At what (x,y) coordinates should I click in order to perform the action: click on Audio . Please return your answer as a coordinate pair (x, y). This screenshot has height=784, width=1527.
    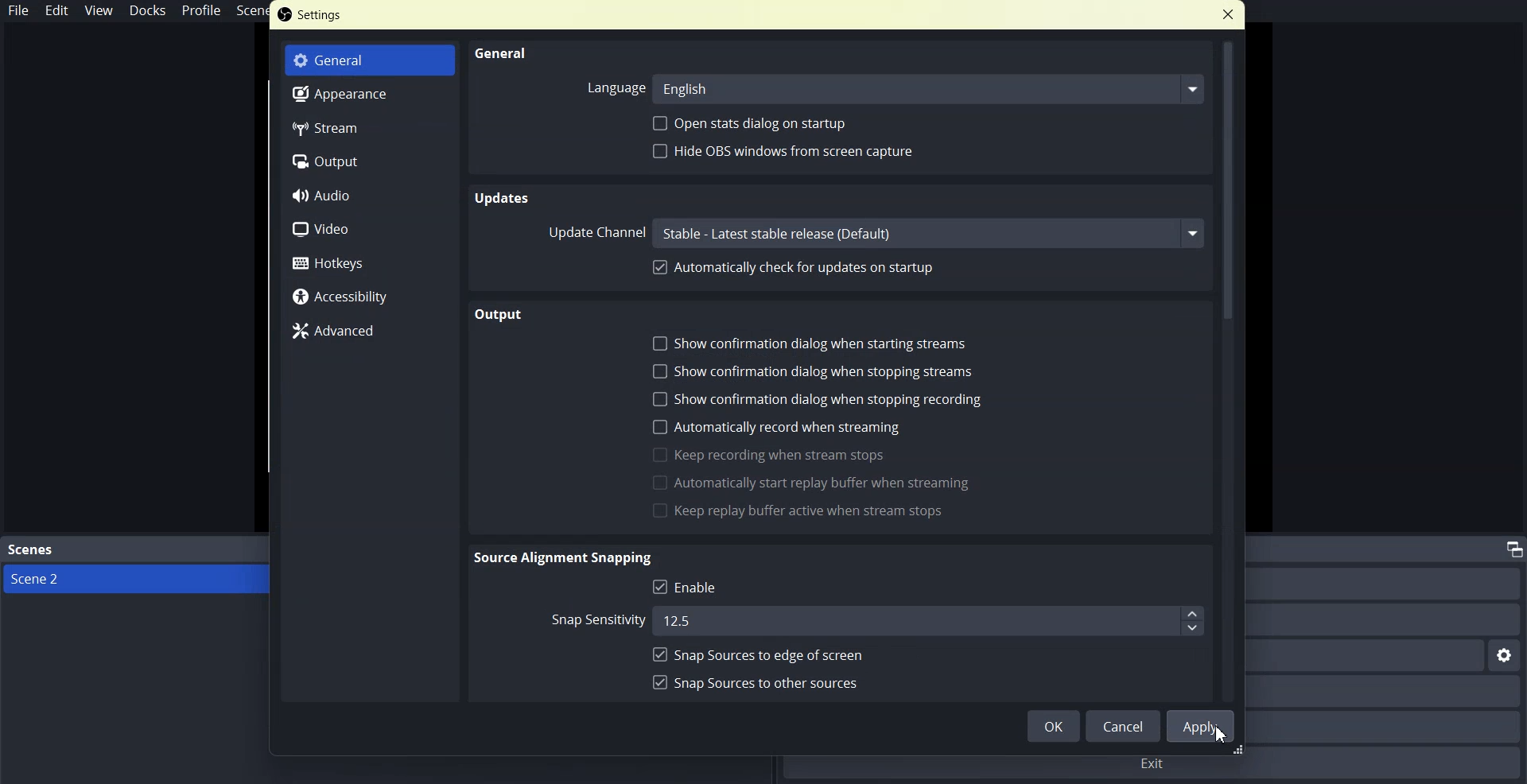
    Looking at the image, I should click on (370, 193).